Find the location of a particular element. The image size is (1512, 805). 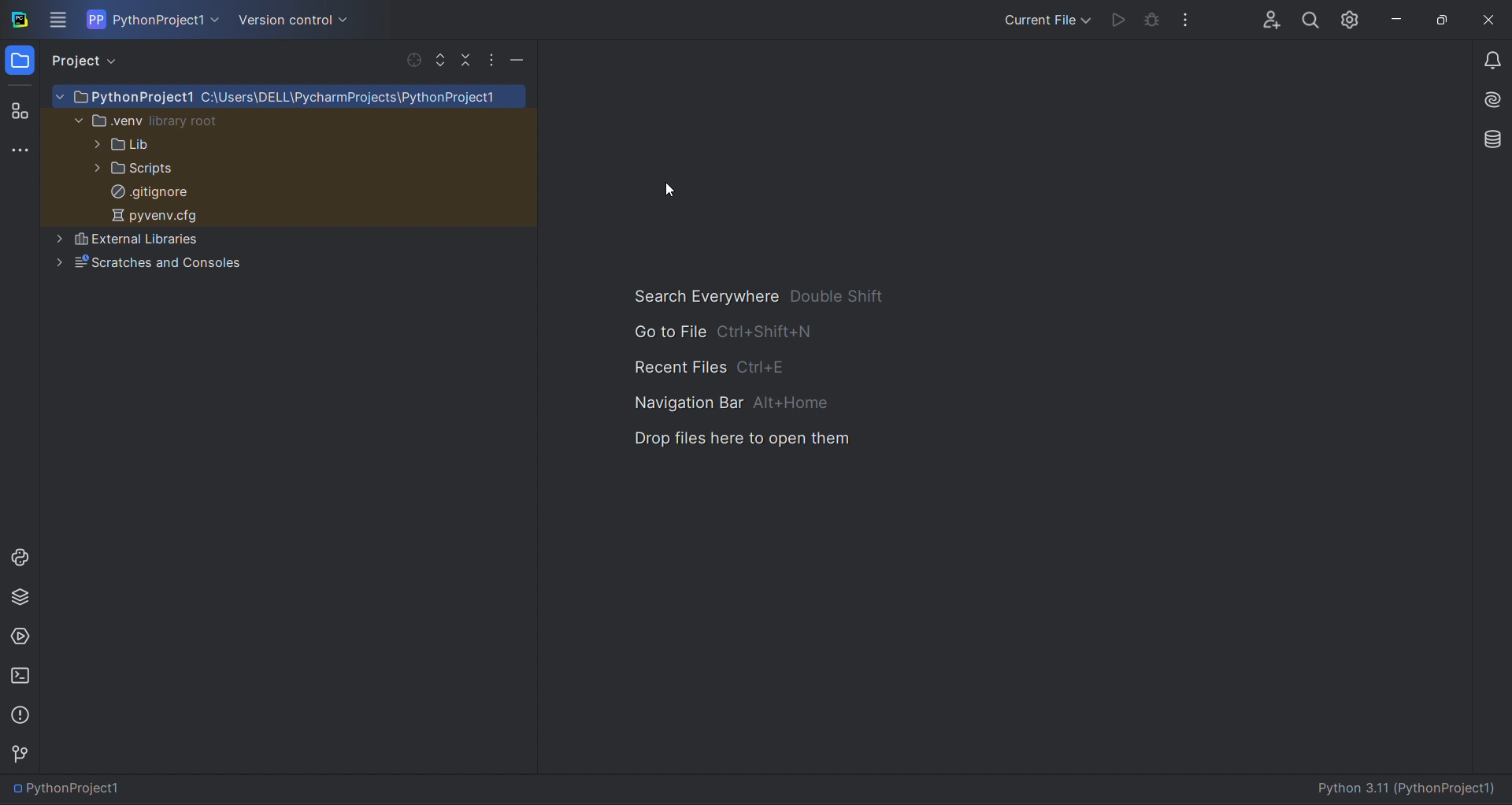

close is located at coordinates (1492, 17).